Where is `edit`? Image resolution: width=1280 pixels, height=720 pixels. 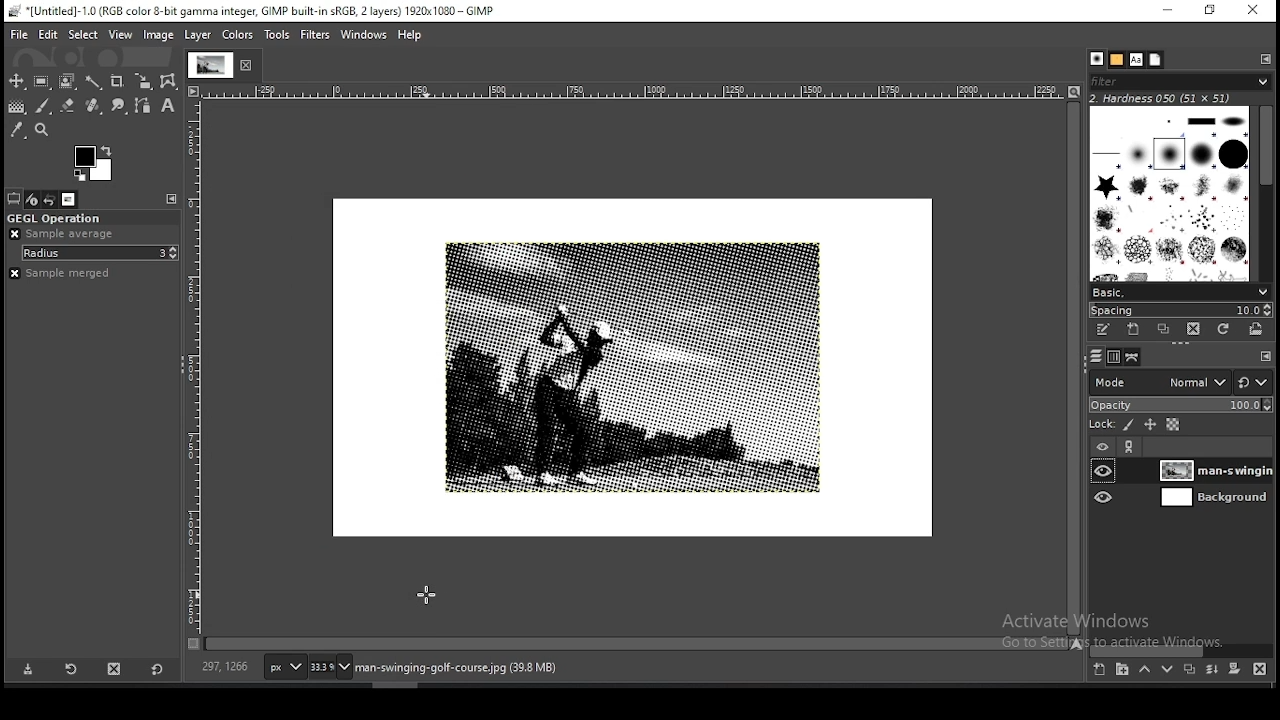
edit is located at coordinates (48, 36).